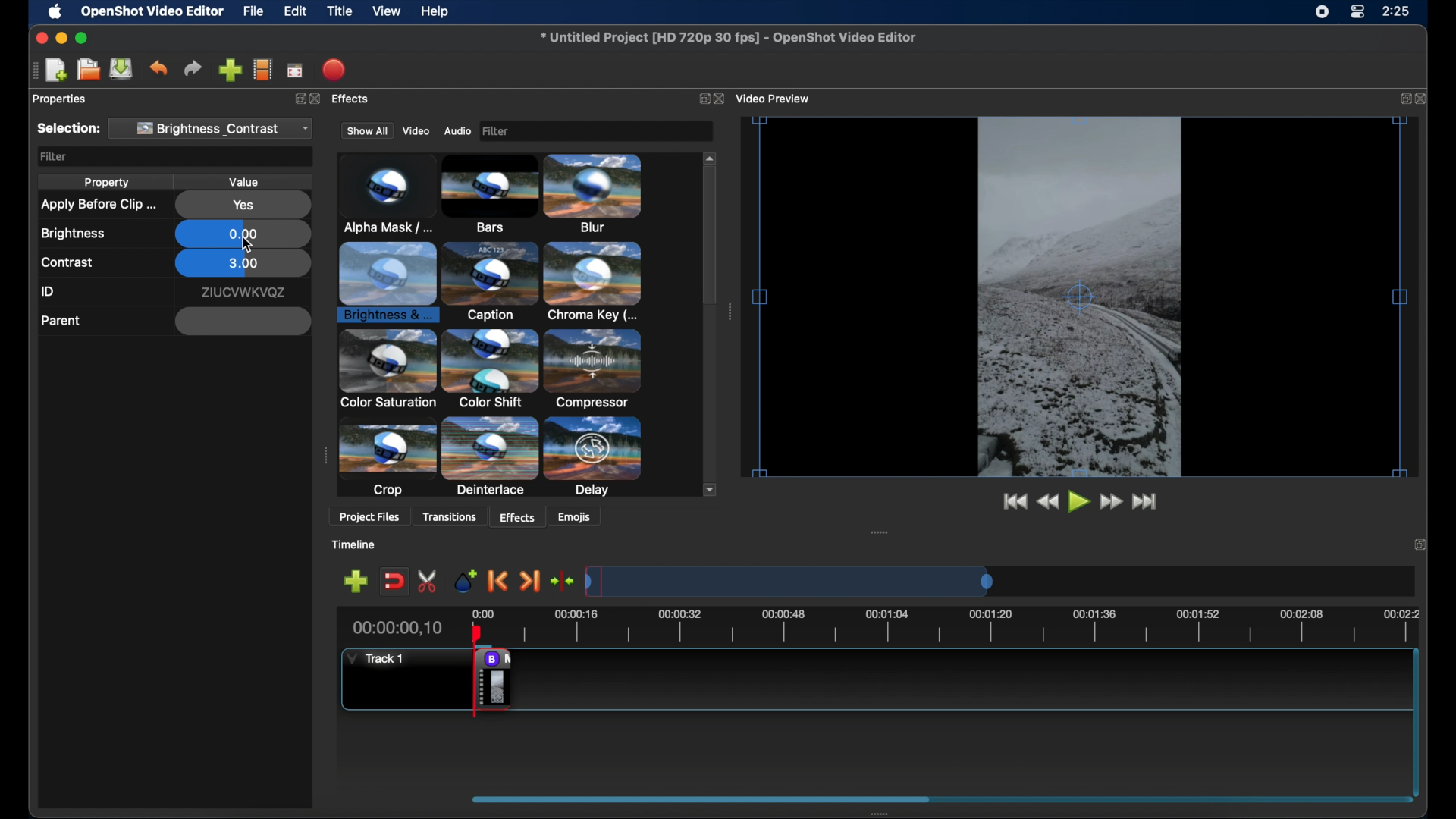  Describe the element at coordinates (365, 131) in the screenshot. I see `show all` at that location.